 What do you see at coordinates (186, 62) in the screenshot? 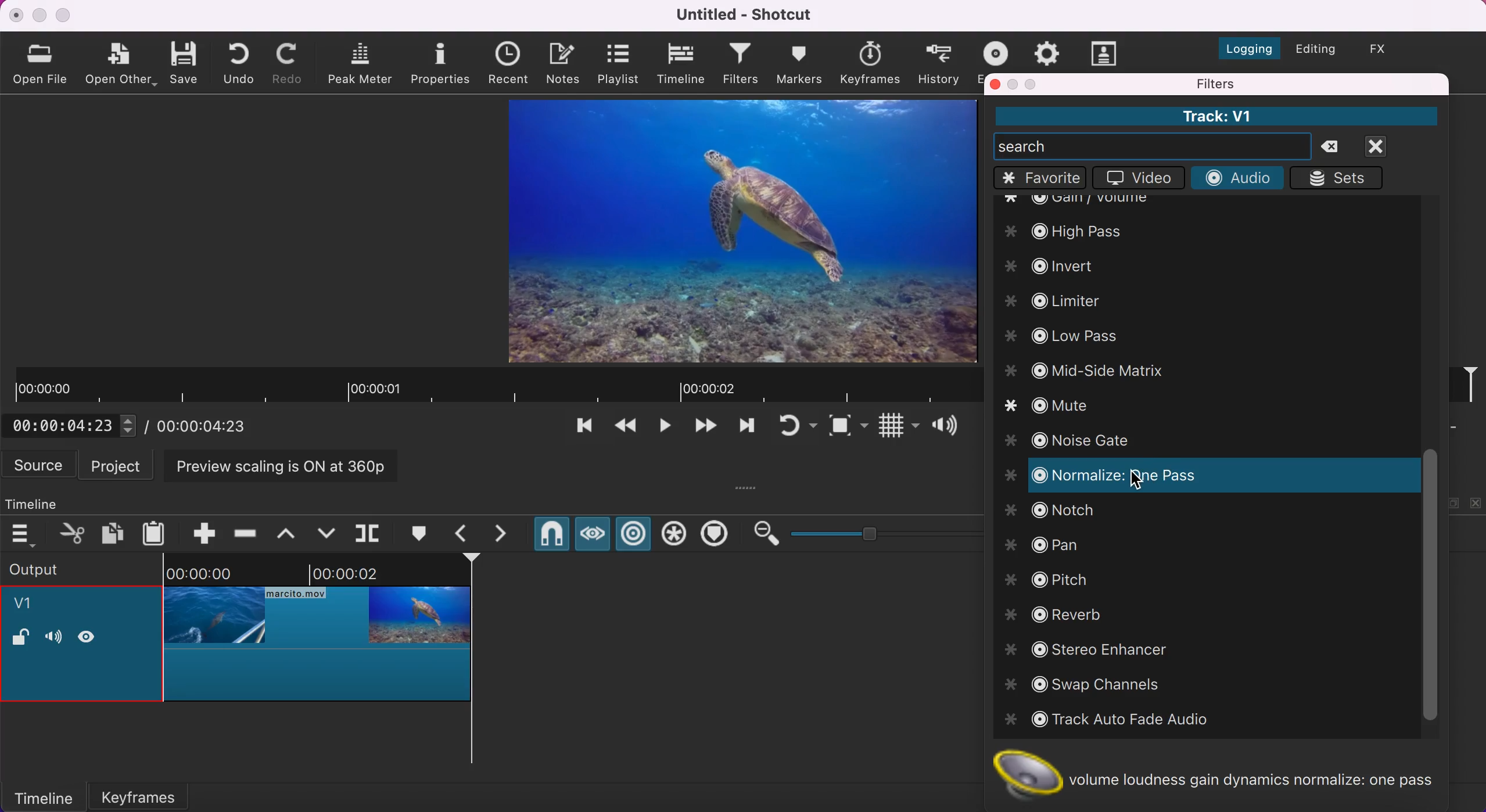
I see `save` at bounding box center [186, 62].